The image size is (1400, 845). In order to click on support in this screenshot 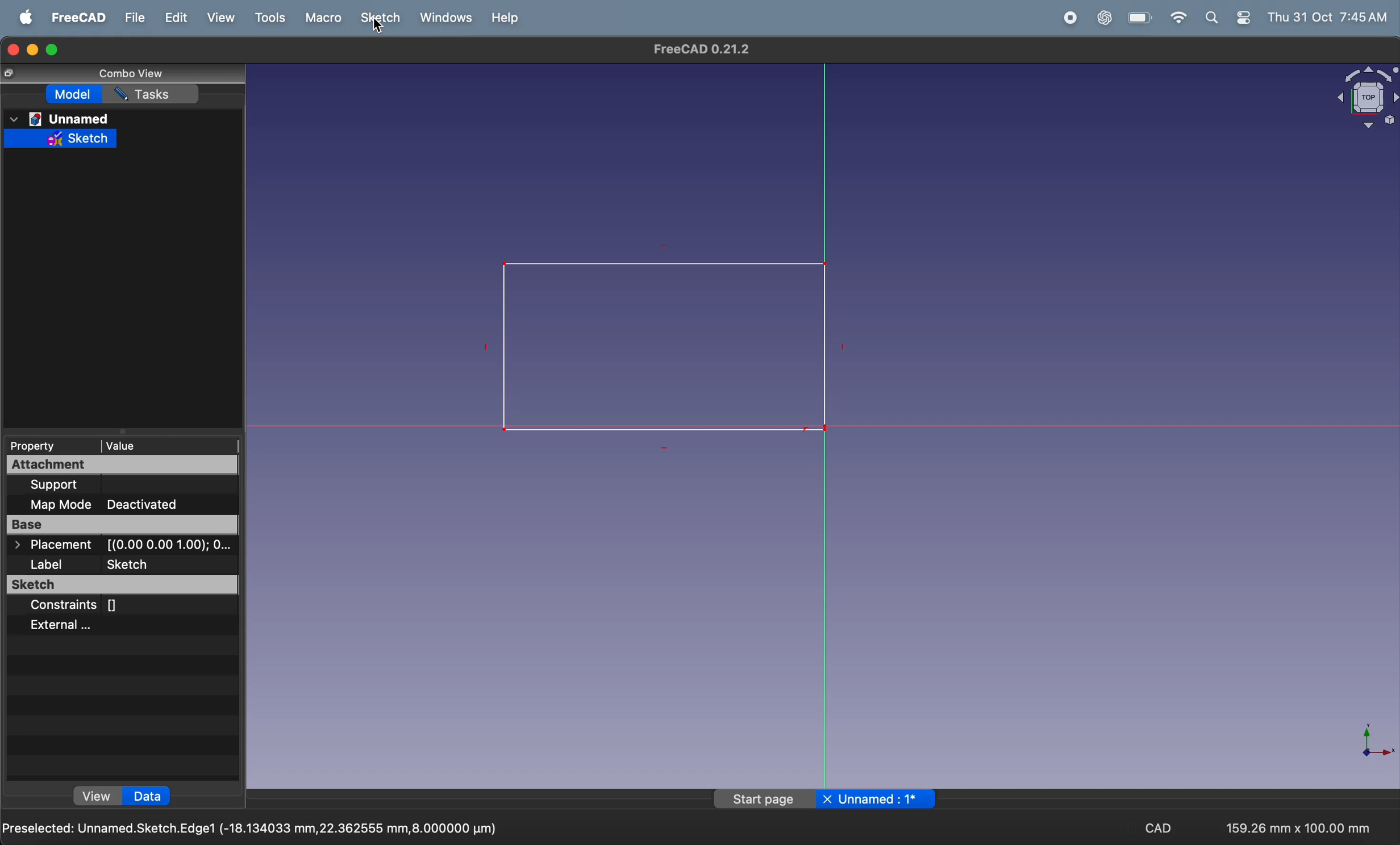, I will do `click(126, 486)`.